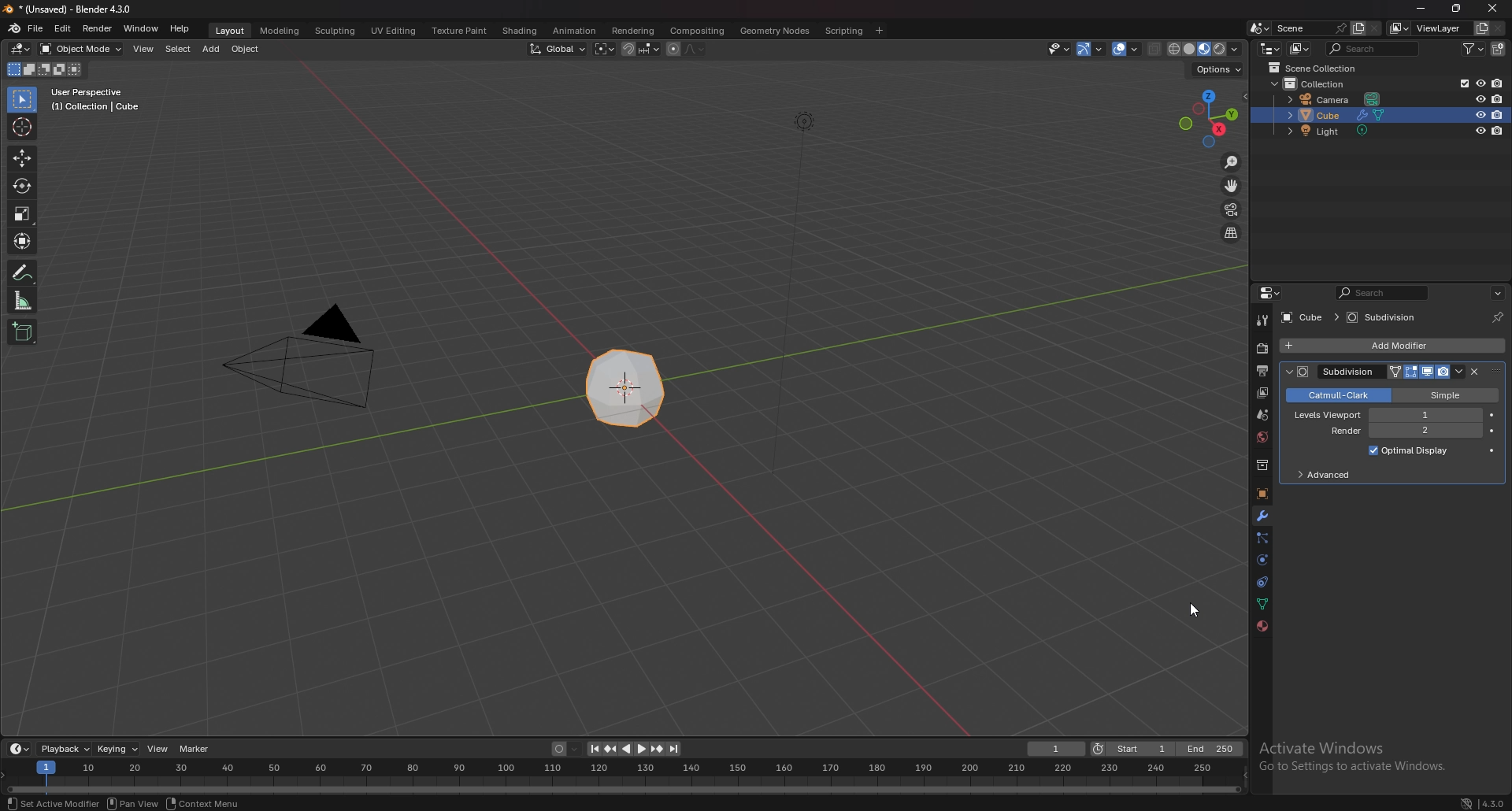  What do you see at coordinates (1357, 28) in the screenshot?
I see `add scene` at bounding box center [1357, 28].